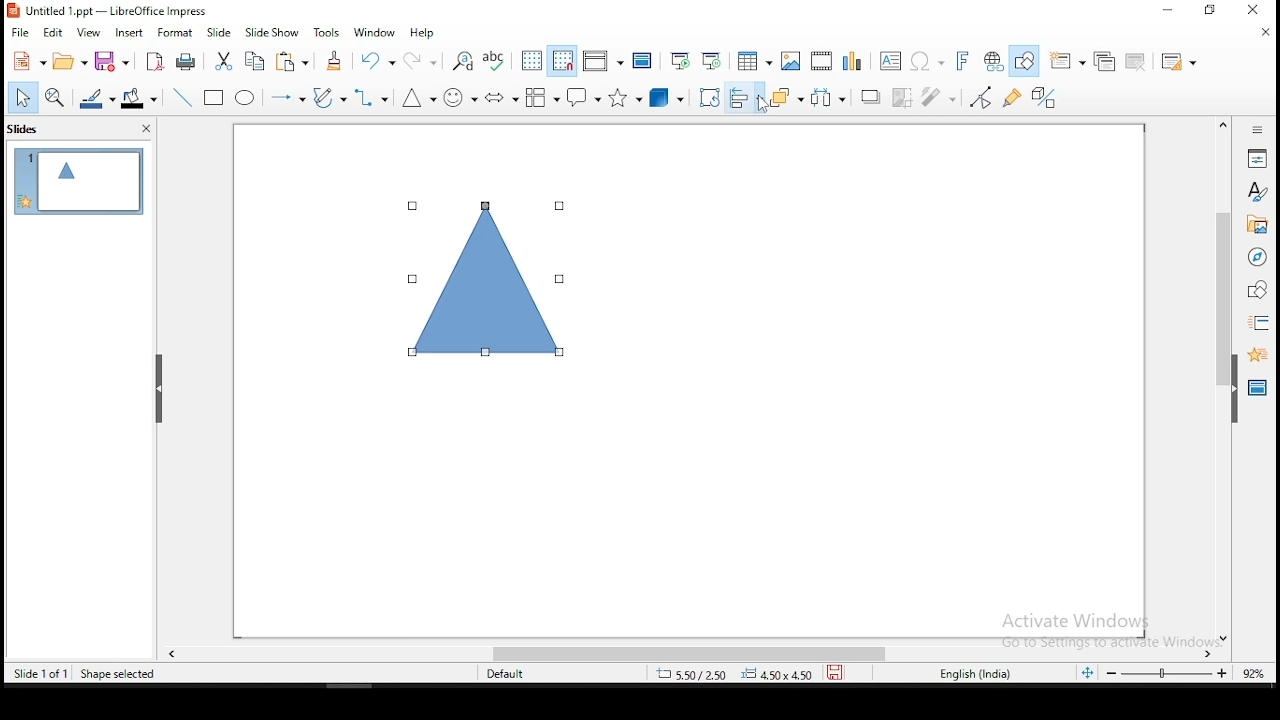  What do you see at coordinates (464, 60) in the screenshot?
I see `find and replace` at bounding box center [464, 60].